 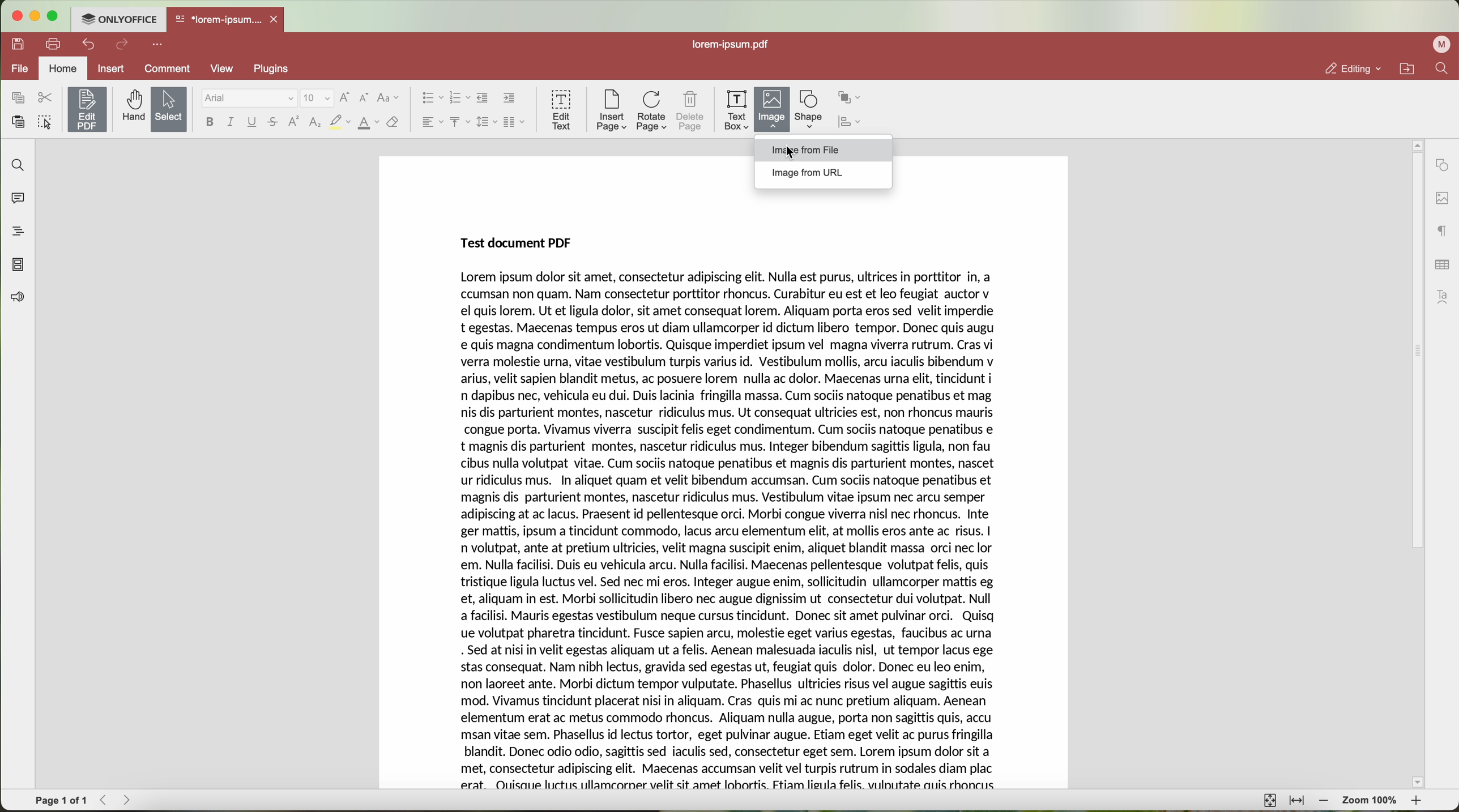 What do you see at coordinates (274, 123) in the screenshot?
I see `strikeout` at bounding box center [274, 123].